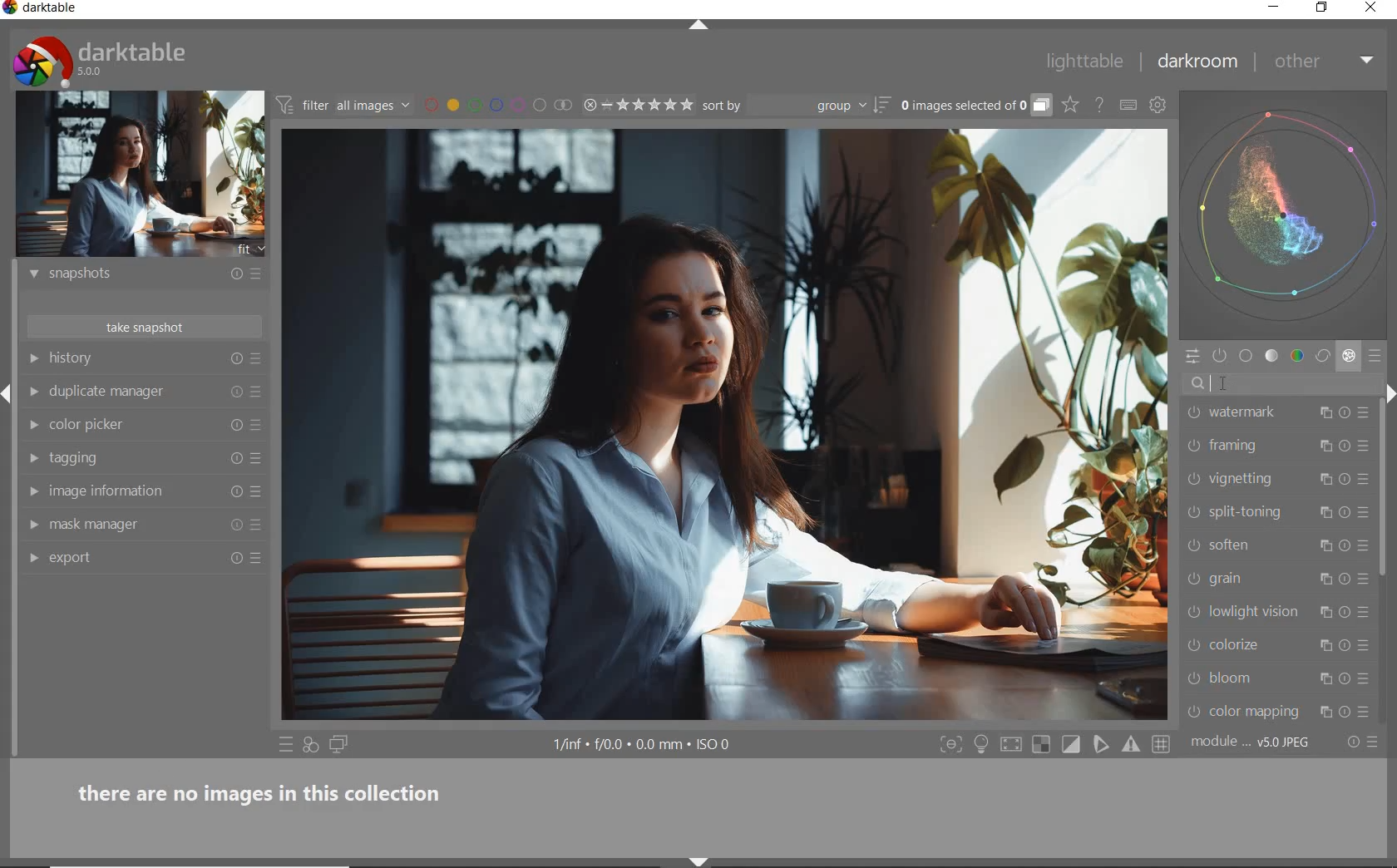 This screenshot has height=868, width=1397. I want to click on lowlight vision, so click(1257, 610).